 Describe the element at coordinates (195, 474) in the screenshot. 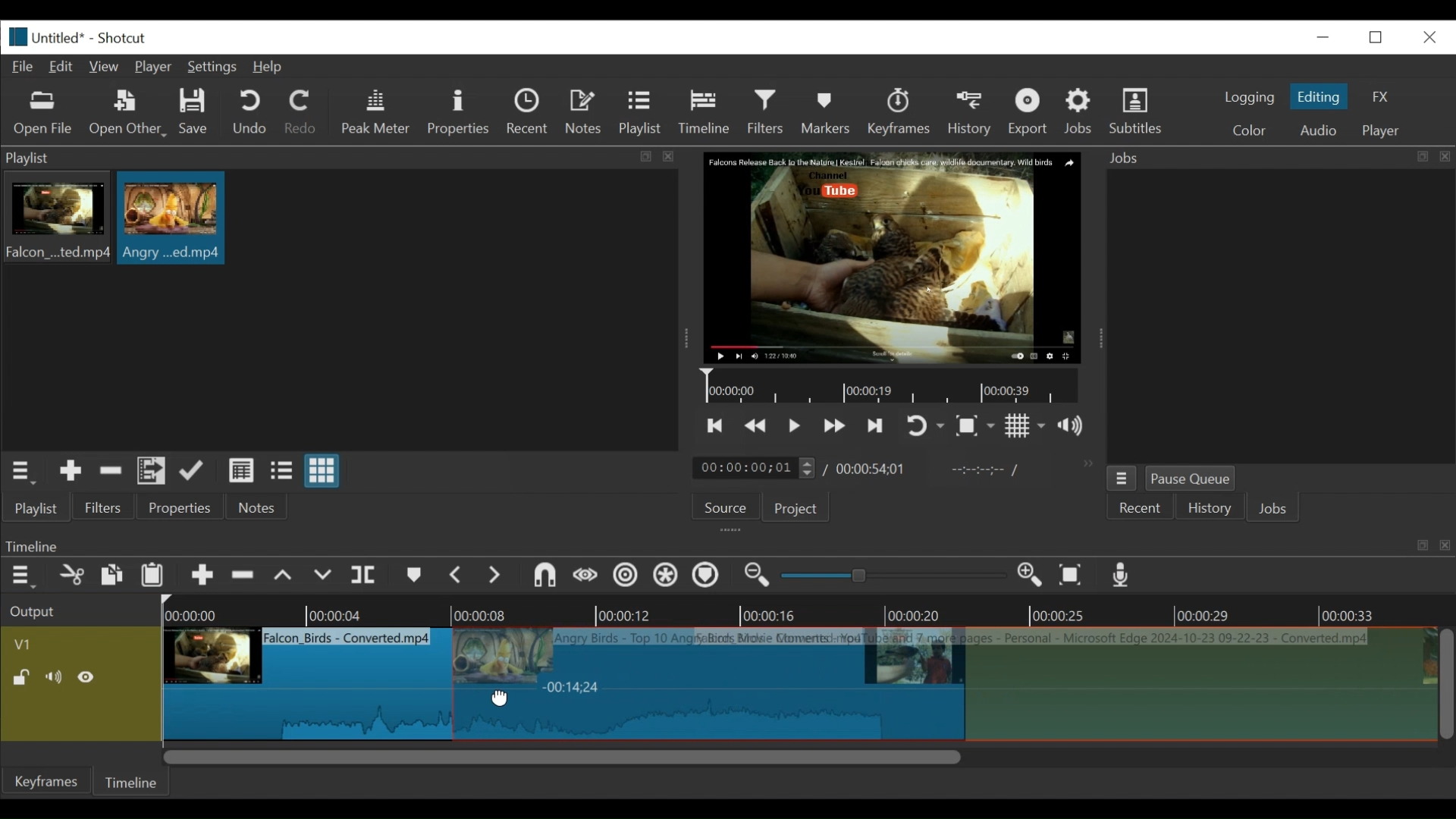

I see `update` at that location.